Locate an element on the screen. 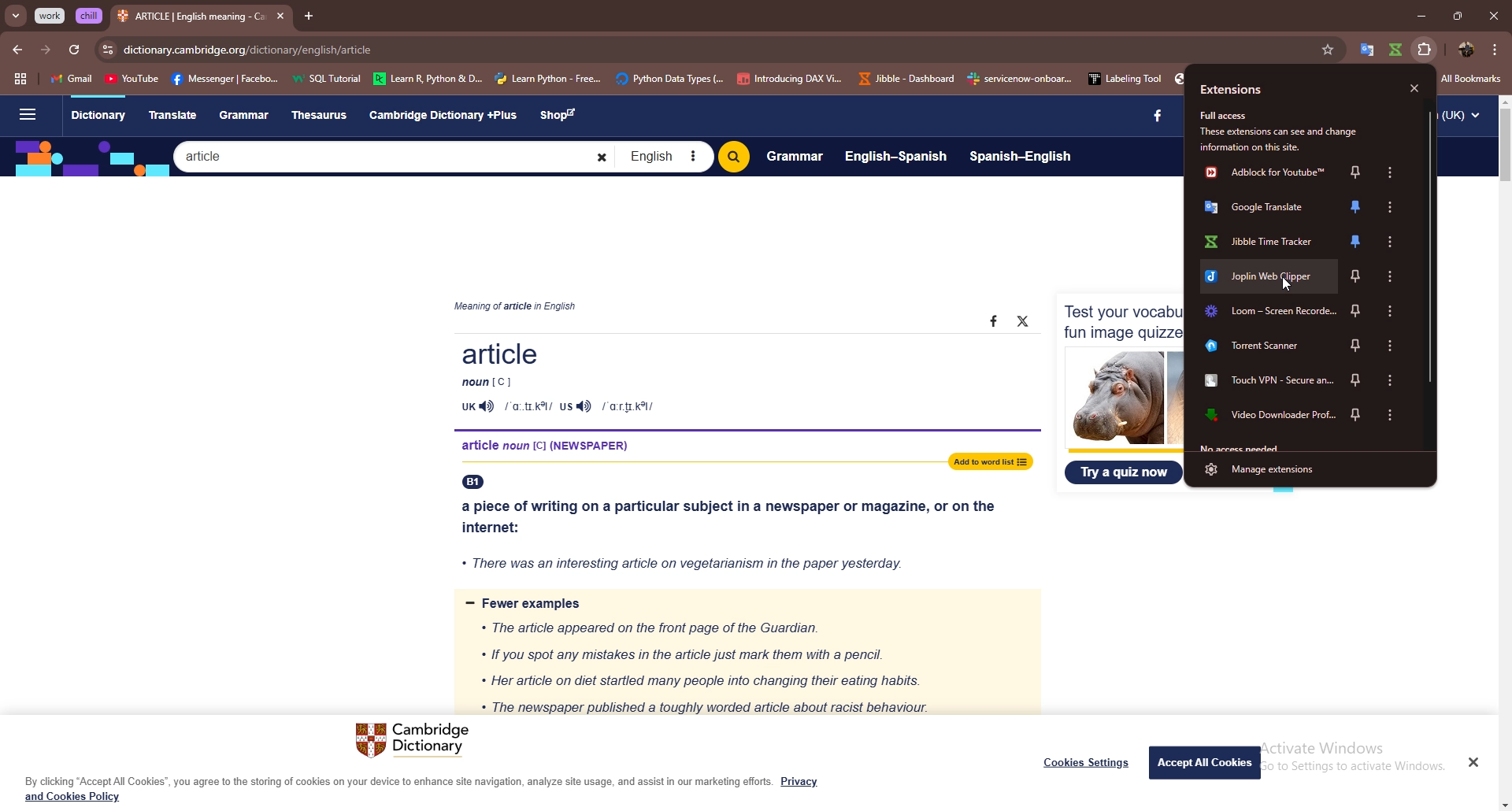 Image resolution: width=1512 pixels, height=811 pixels. view site info is located at coordinates (108, 50).